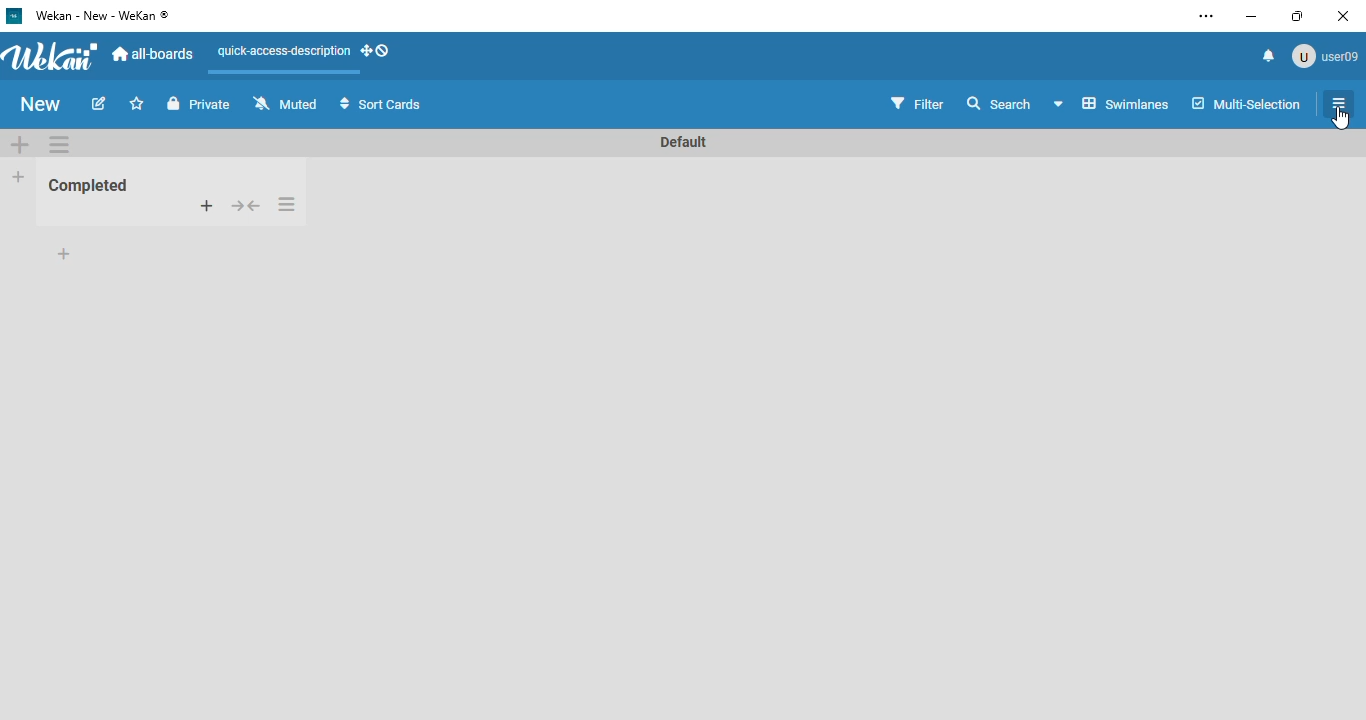 This screenshot has width=1366, height=720. What do you see at coordinates (208, 206) in the screenshot?
I see `add card to top of list` at bounding box center [208, 206].